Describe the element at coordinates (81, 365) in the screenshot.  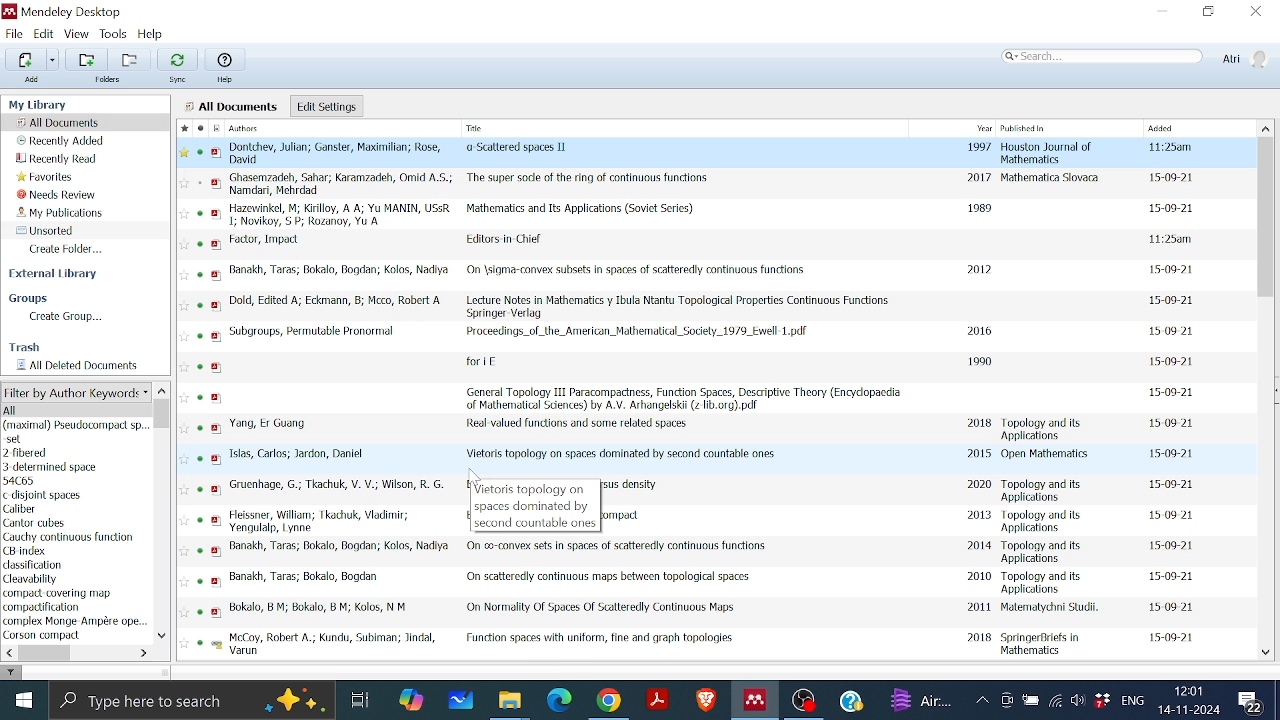
I see `All deleted documents` at that location.